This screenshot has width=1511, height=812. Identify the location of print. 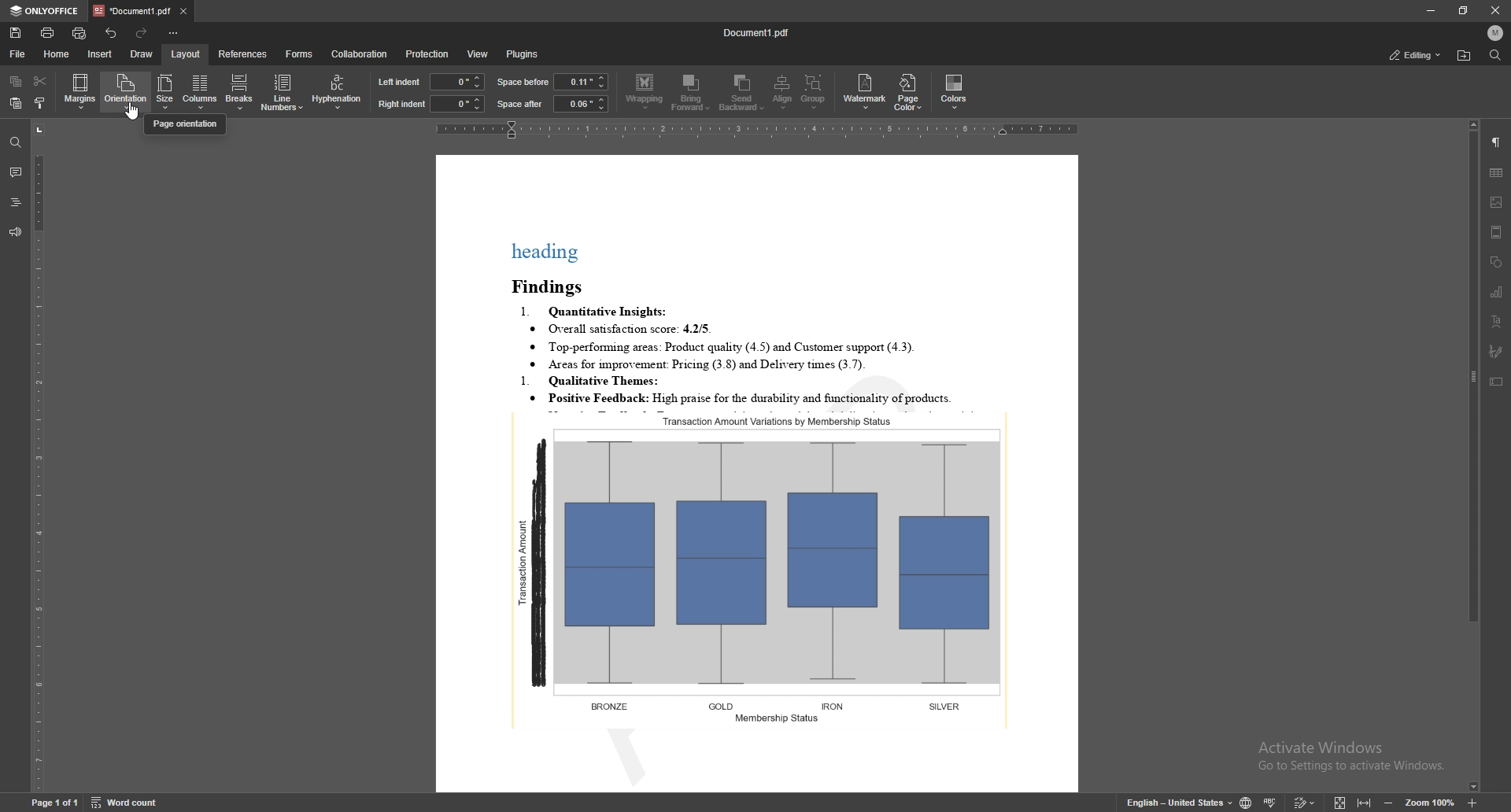
(49, 33).